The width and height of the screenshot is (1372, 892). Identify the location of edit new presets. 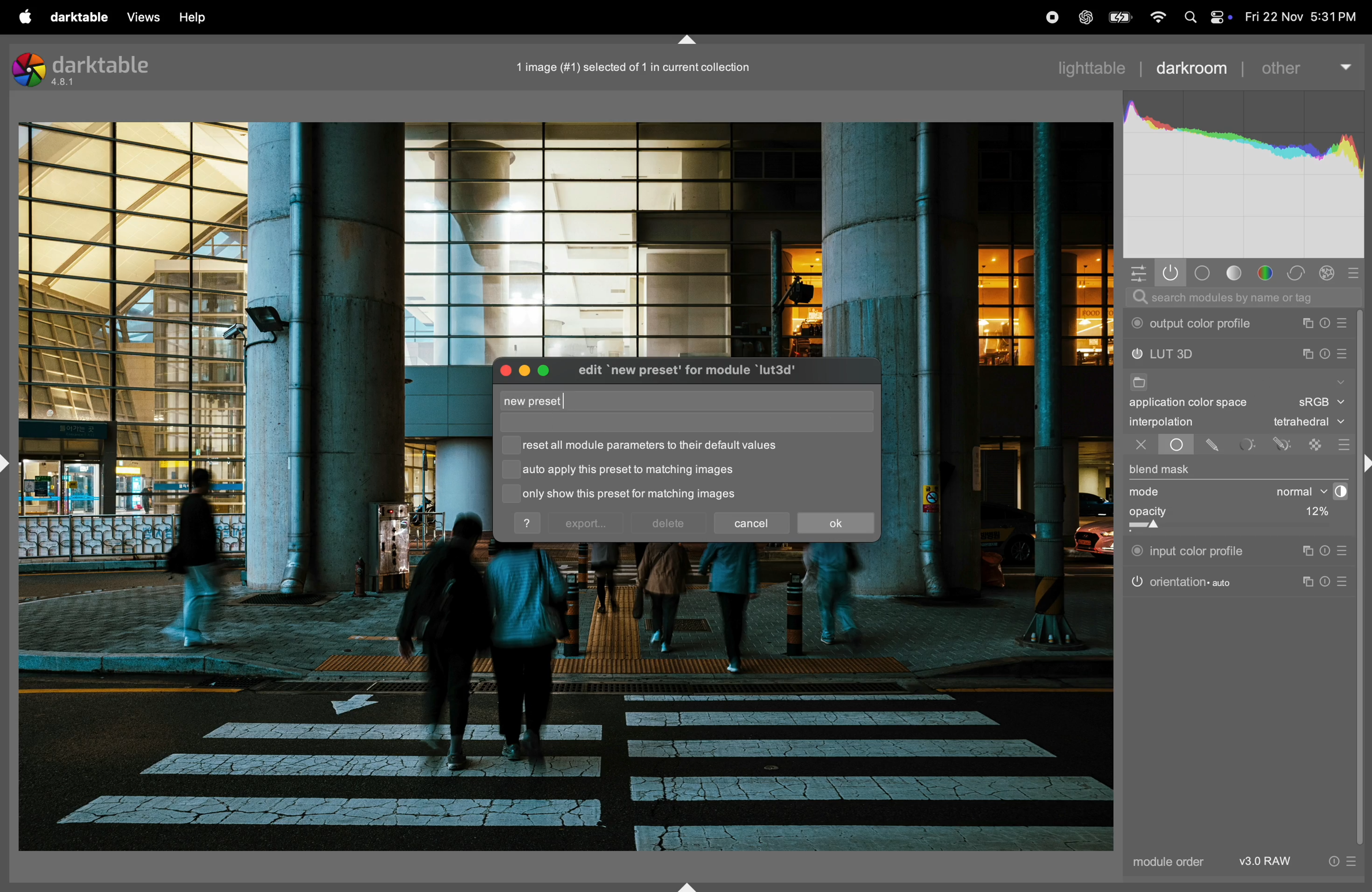
(701, 372).